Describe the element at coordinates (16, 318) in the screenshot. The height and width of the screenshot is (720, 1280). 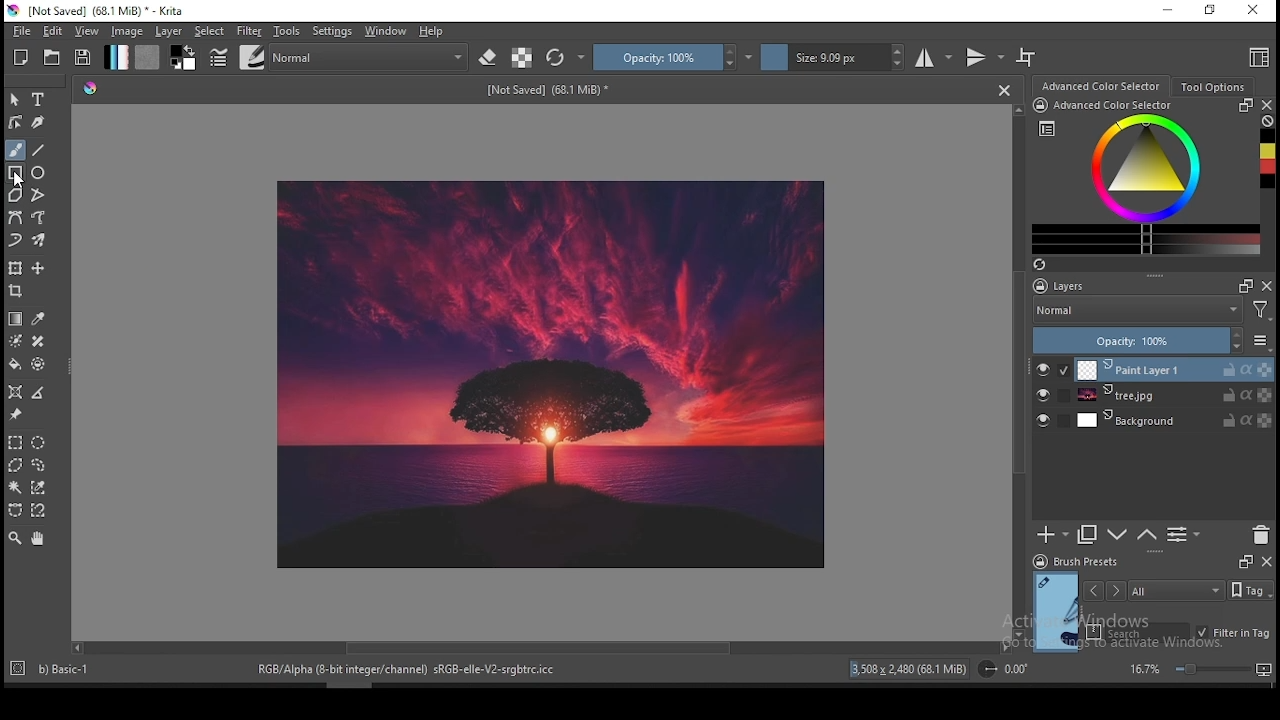
I see `gradient tool` at that location.